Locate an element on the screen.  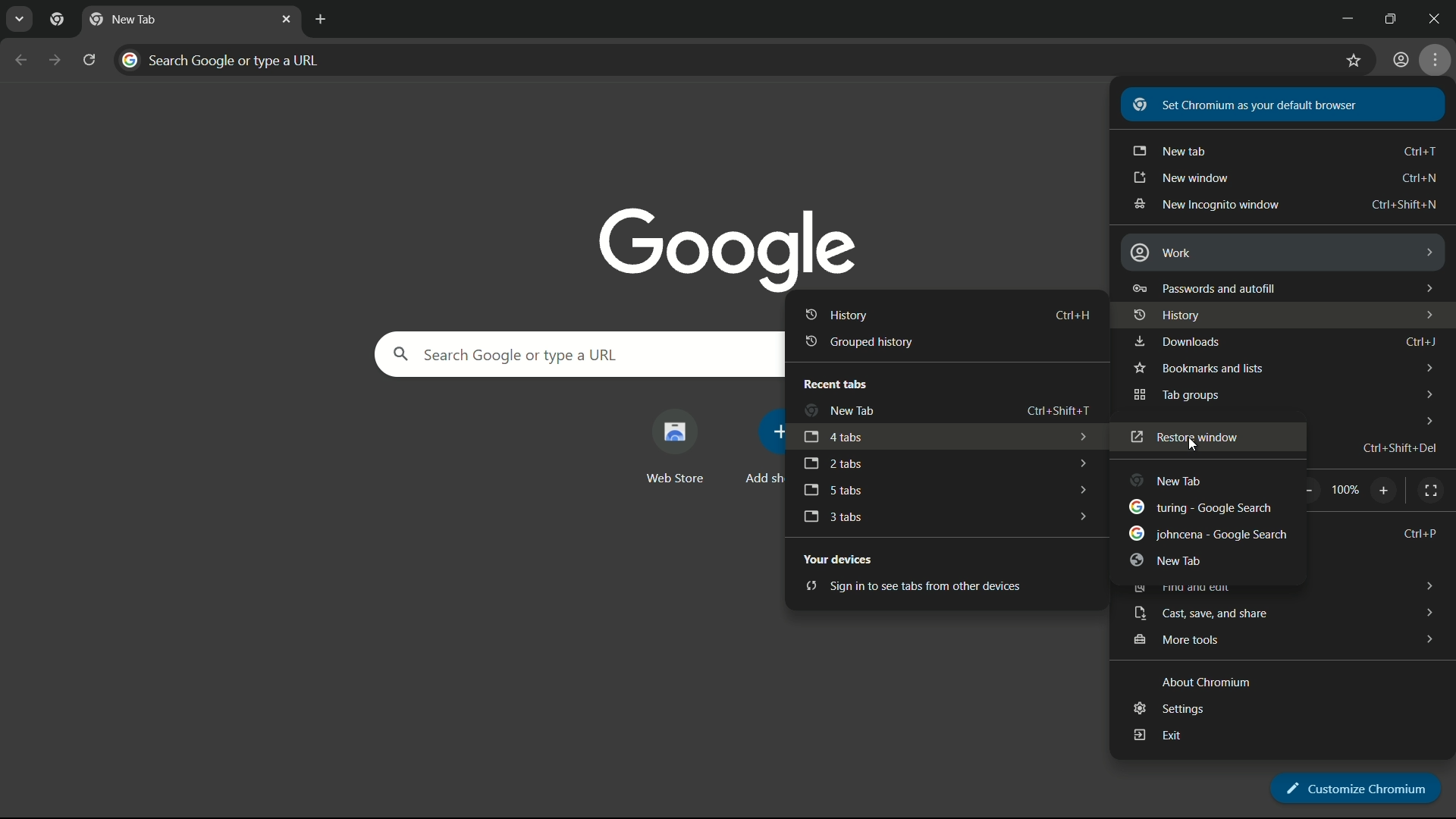
add more shortcut is located at coordinates (763, 448).